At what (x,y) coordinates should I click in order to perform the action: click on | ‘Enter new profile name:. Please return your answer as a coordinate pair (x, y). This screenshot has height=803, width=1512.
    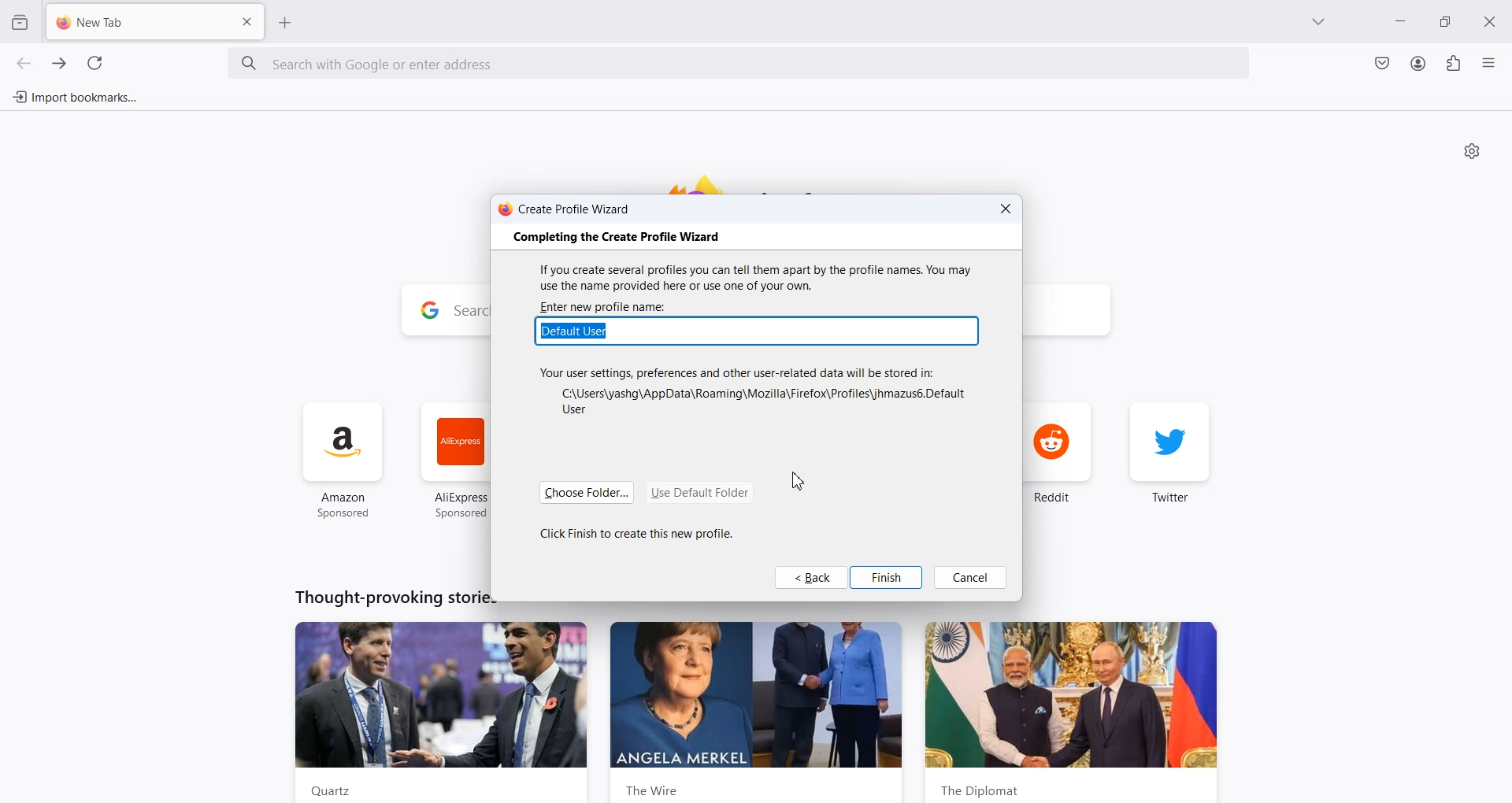
    Looking at the image, I should click on (599, 305).